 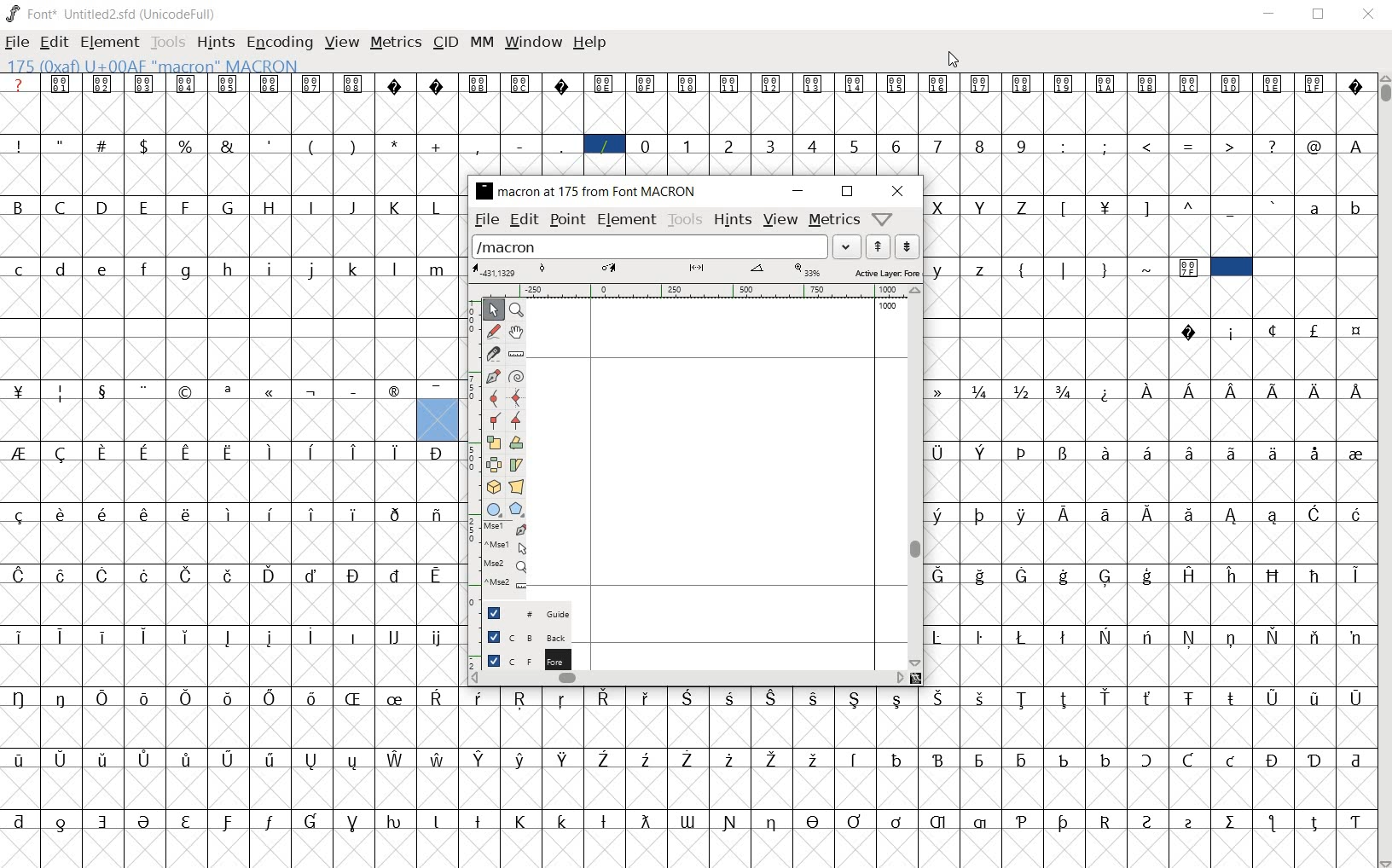 What do you see at coordinates (1315, 696) in the screenshot?
I see `Symbol` at bounding box center [1315, 696].